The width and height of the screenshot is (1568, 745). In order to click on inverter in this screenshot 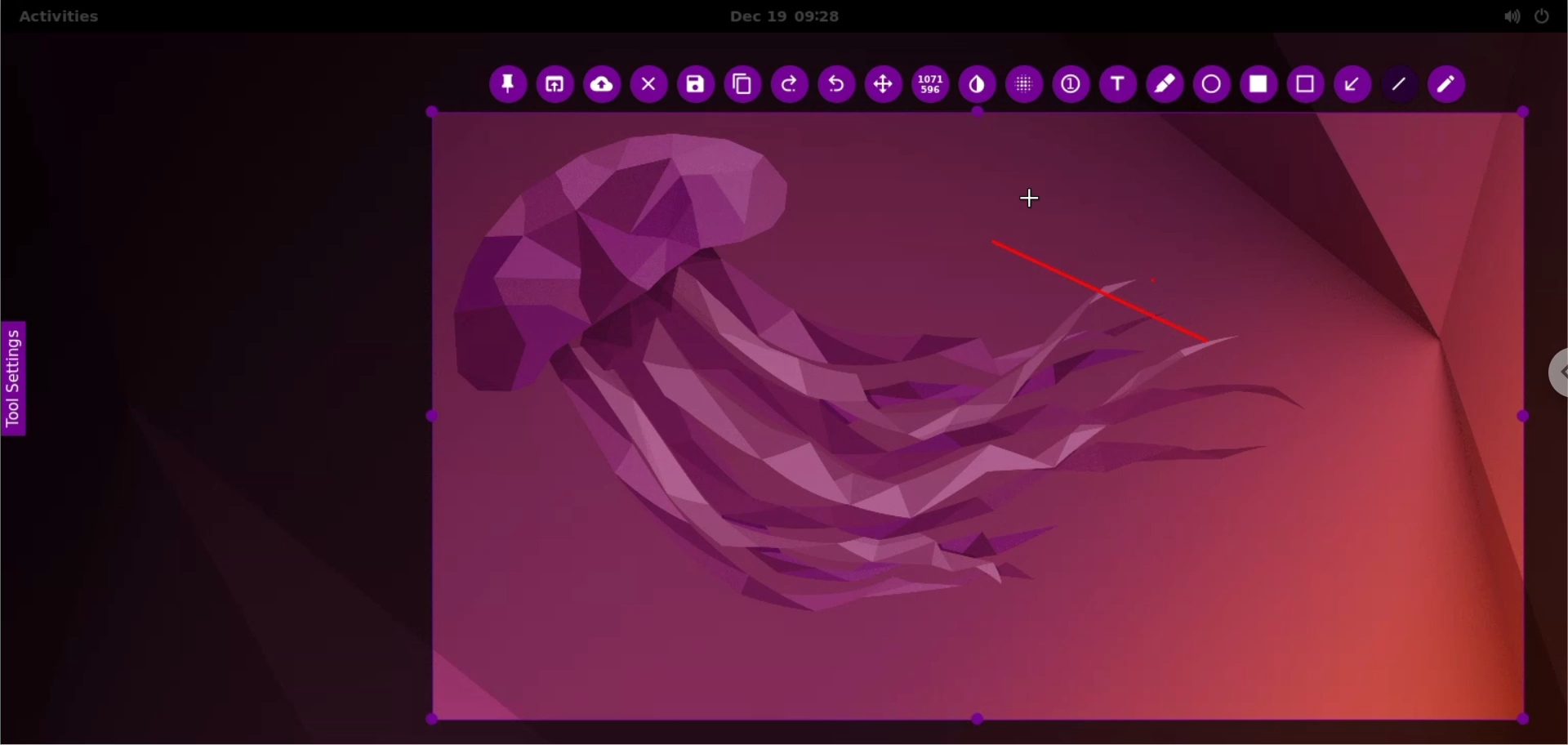, I will do `click(976, 85)`.